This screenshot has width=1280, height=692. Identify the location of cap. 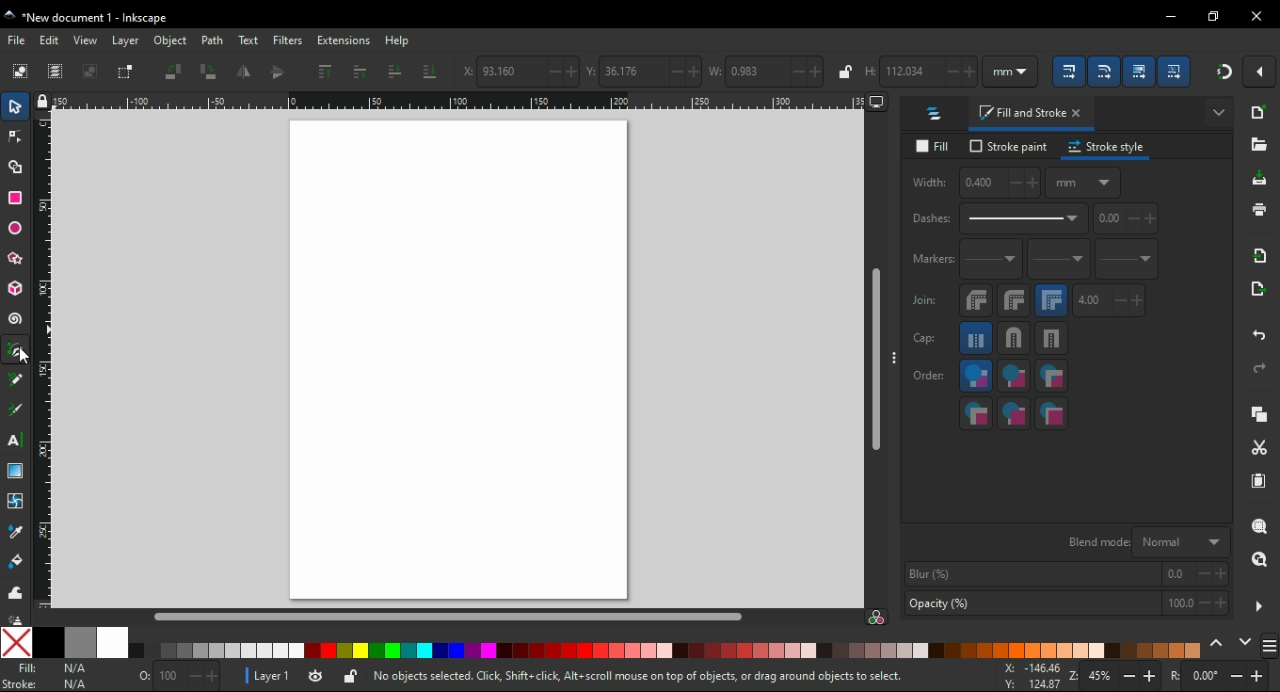
(925, 339).